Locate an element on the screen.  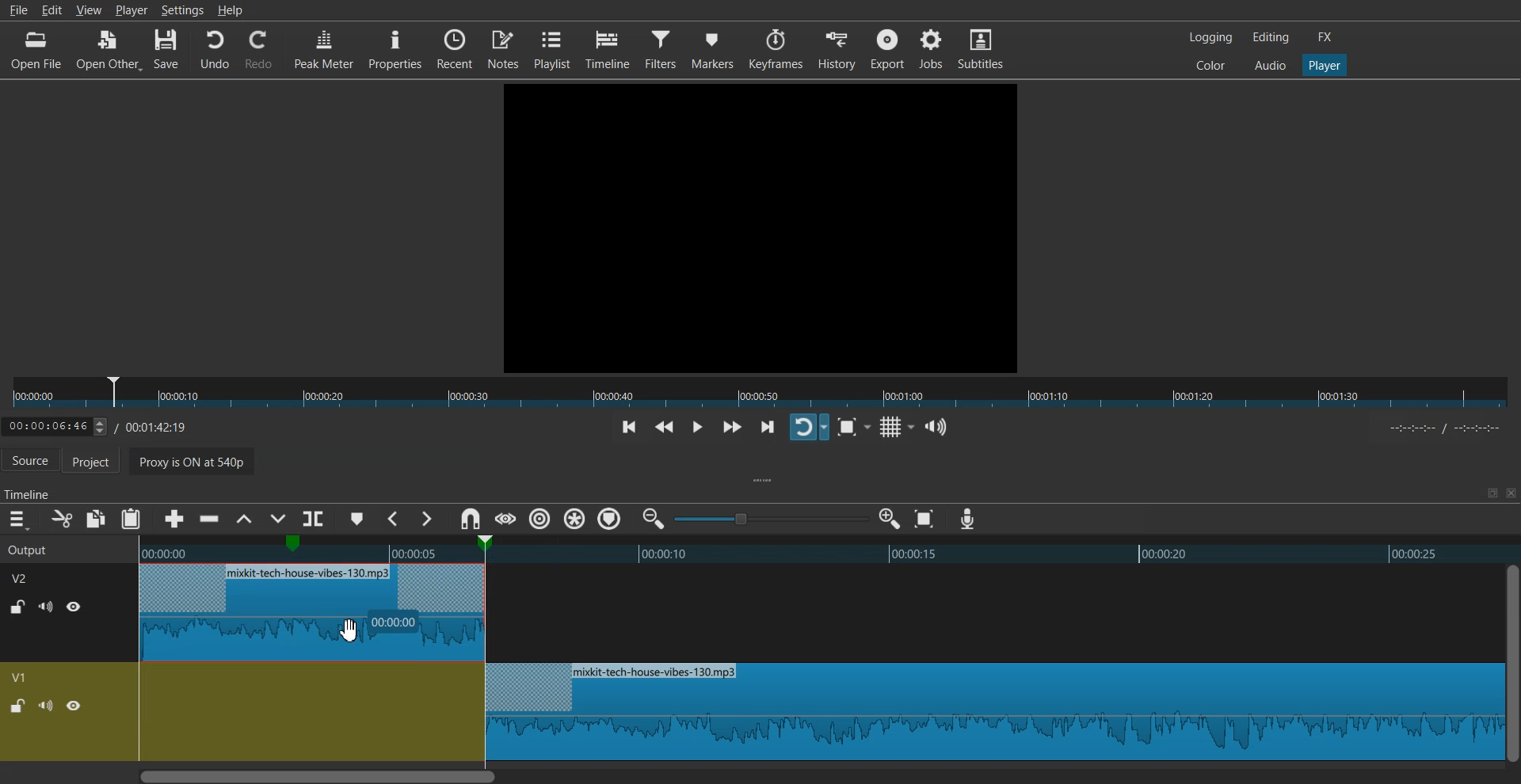
Toggle Zoom is located at coordinates (849, 428).